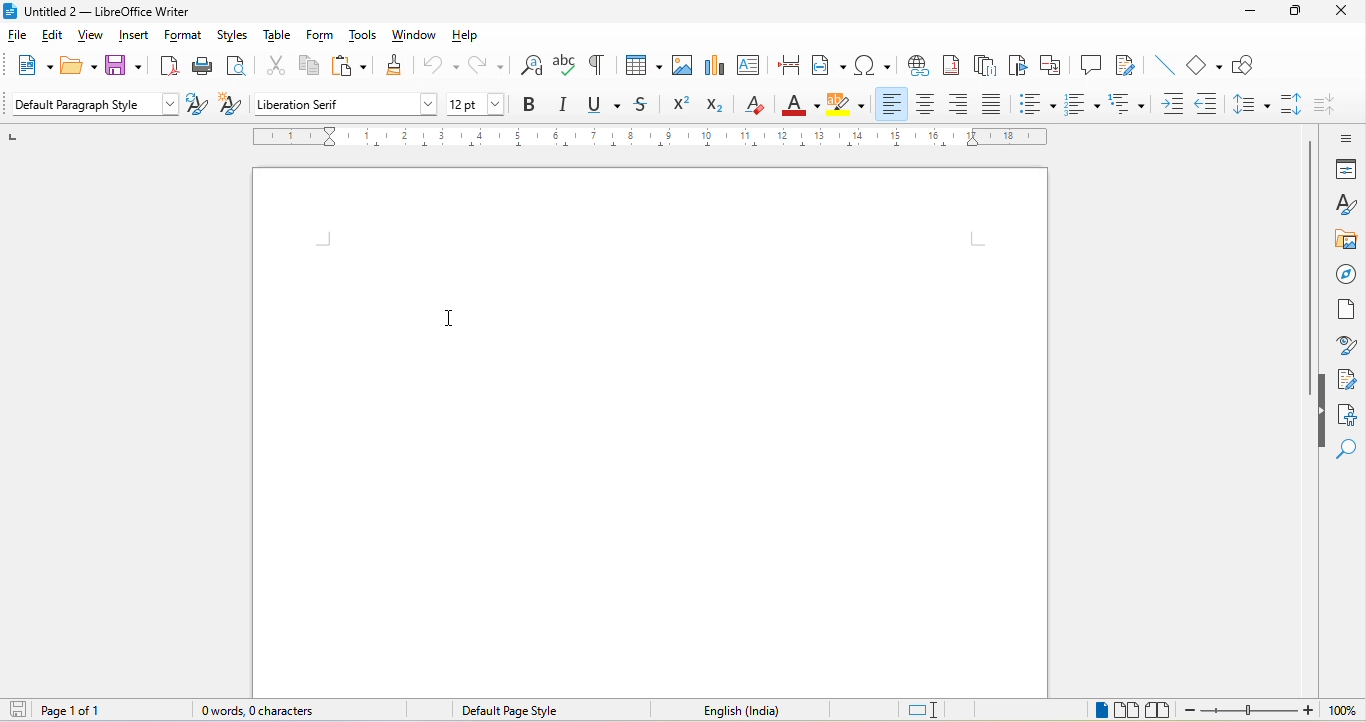  Describe the element at coordinates (415, 36) in the screenshot. I see `window` at that location.